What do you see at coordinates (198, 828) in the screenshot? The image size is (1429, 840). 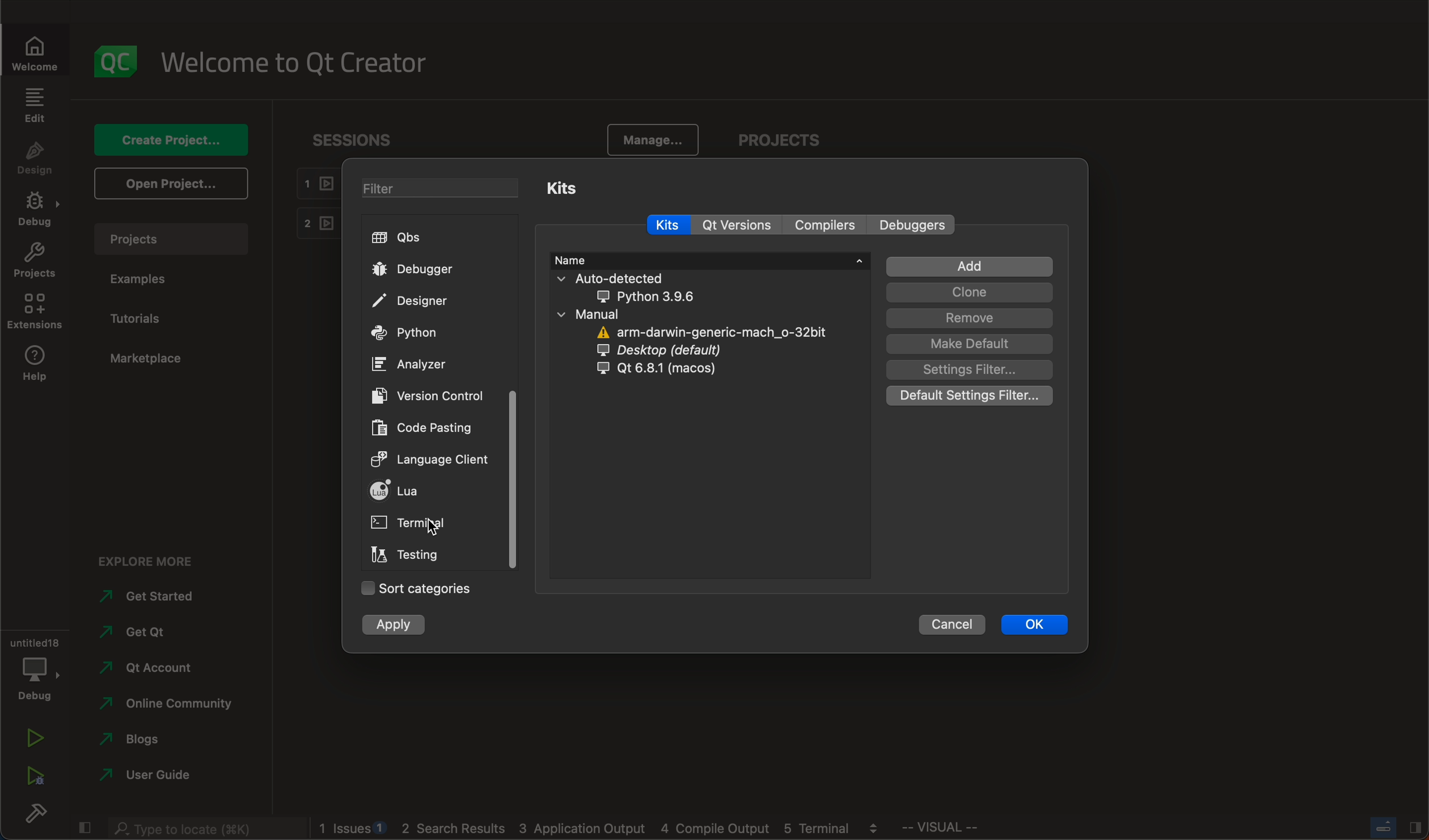 I see `search bar` at bounding box center [198, 828].